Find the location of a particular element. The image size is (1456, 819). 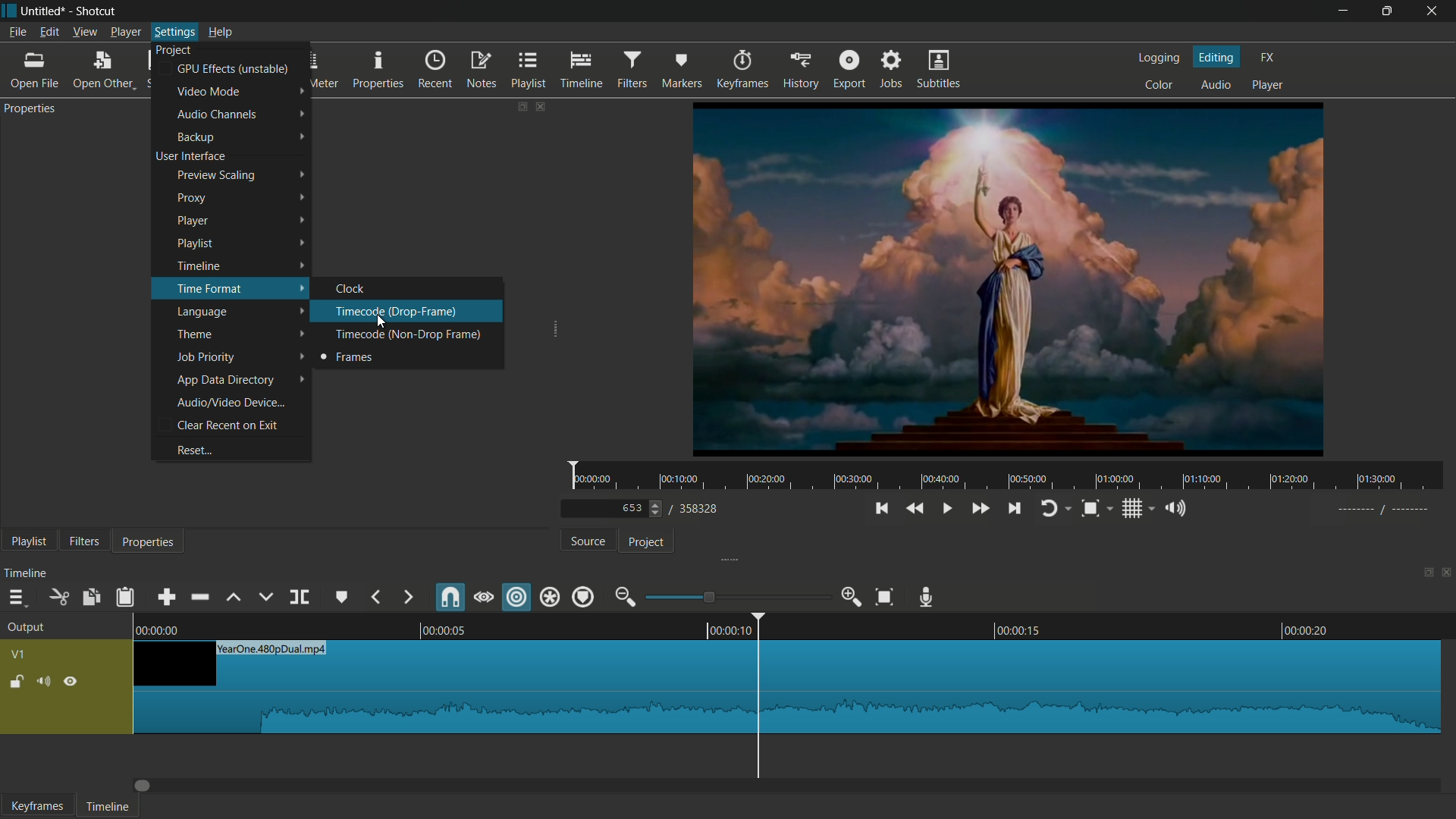

snap is located at coordinates (450, 598).